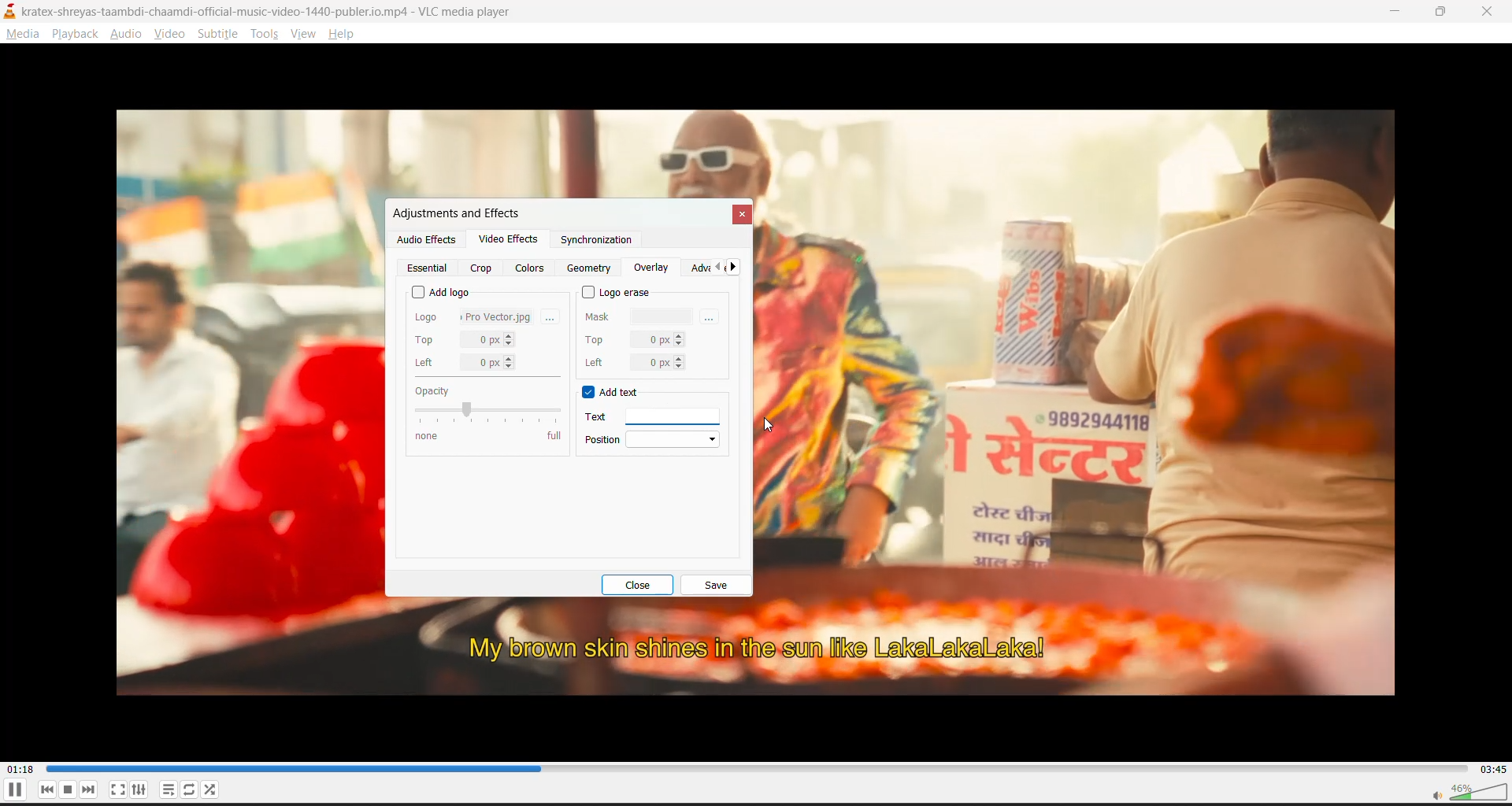 The height and width of the screenshot is (806, 1512). What do you see at coordinates (23, 767) in the screenshot?
I see `current track time` at bounding box center [23, 767].